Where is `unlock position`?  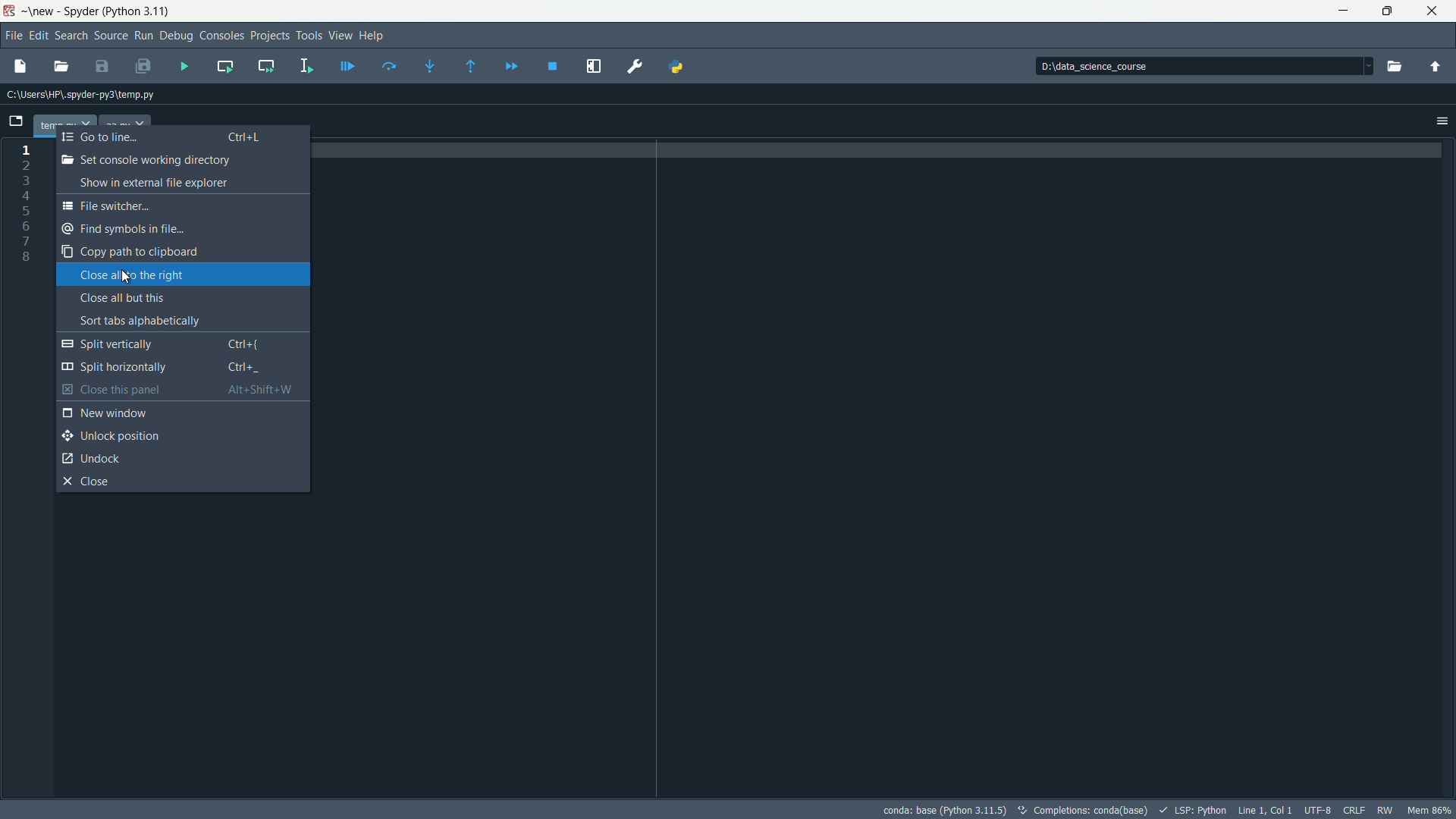
unlock position is located at coordinates (108, 434).